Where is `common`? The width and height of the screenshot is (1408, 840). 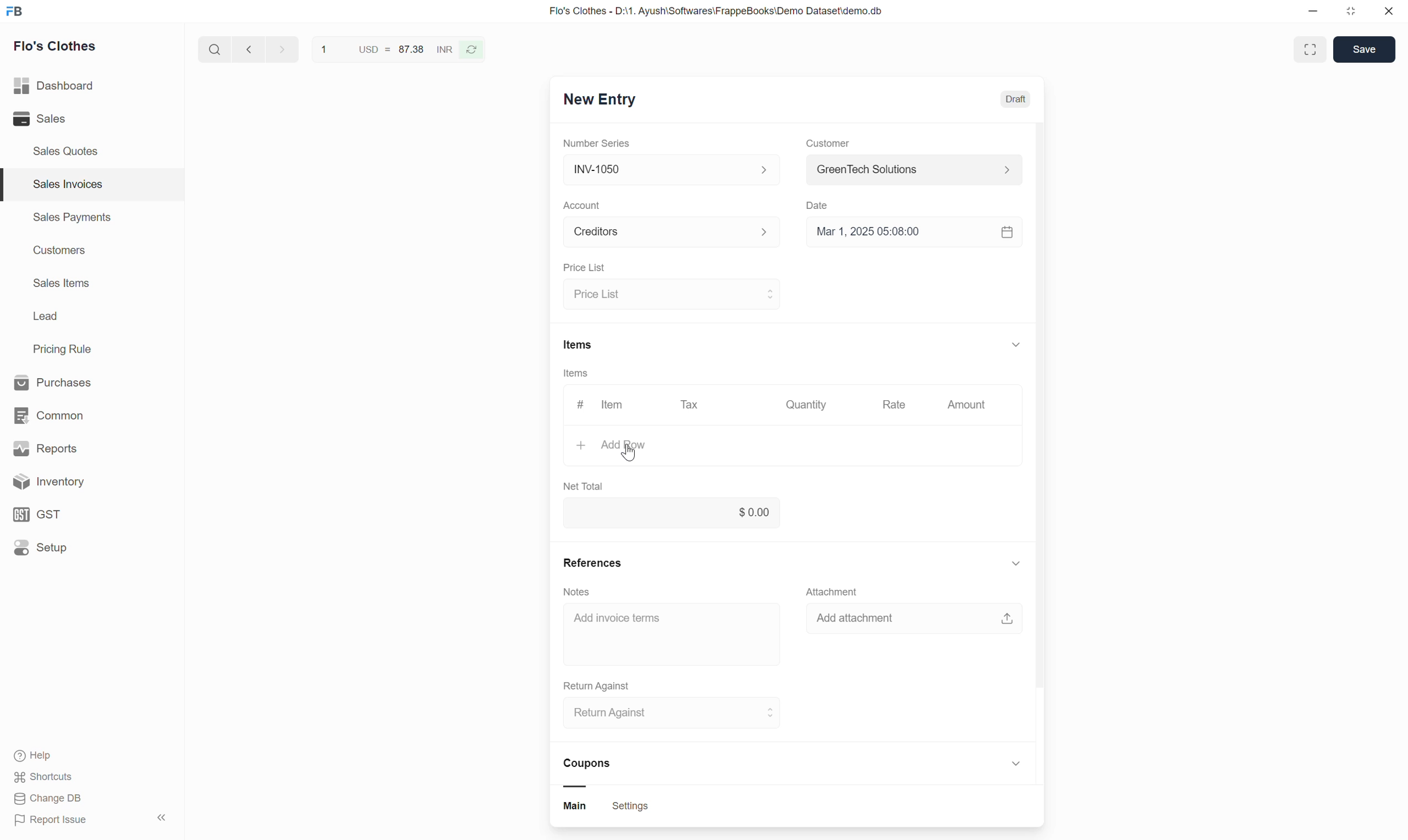
common is located at coordinates (74, 413).